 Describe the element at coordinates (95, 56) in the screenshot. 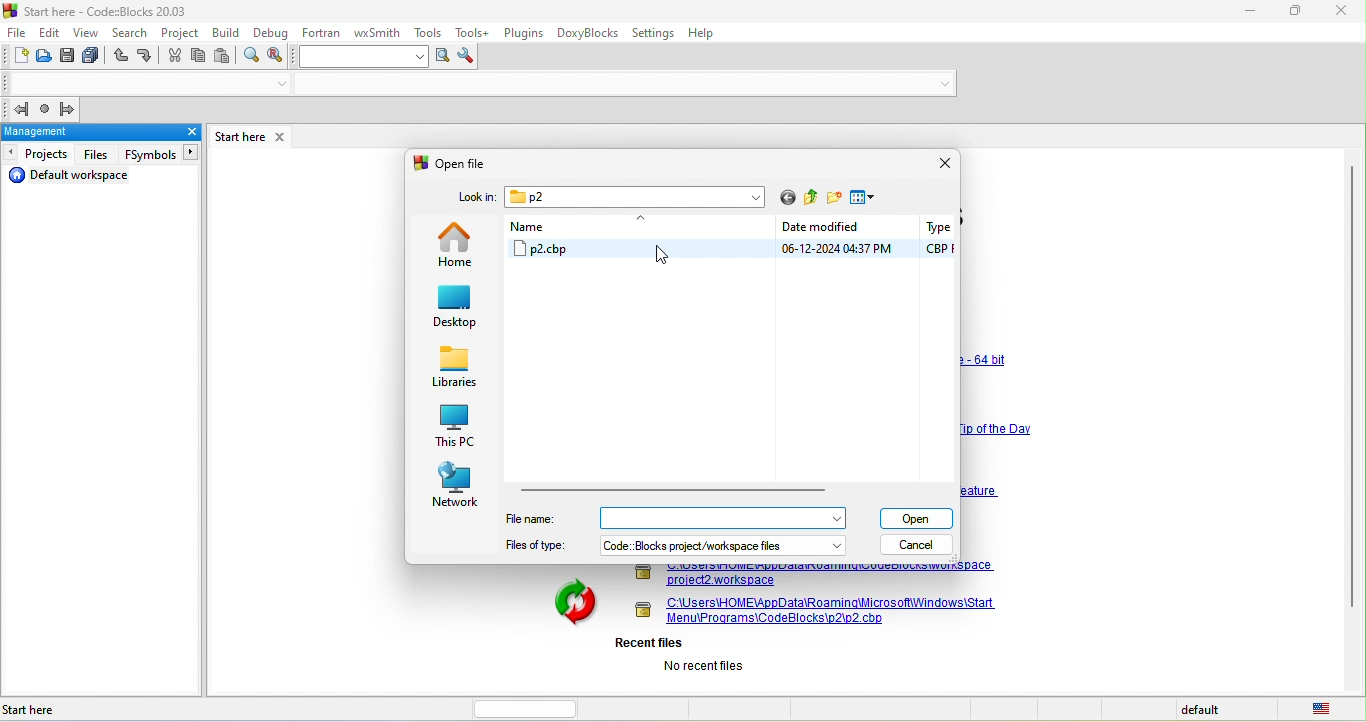

I see `save everything` at that location.